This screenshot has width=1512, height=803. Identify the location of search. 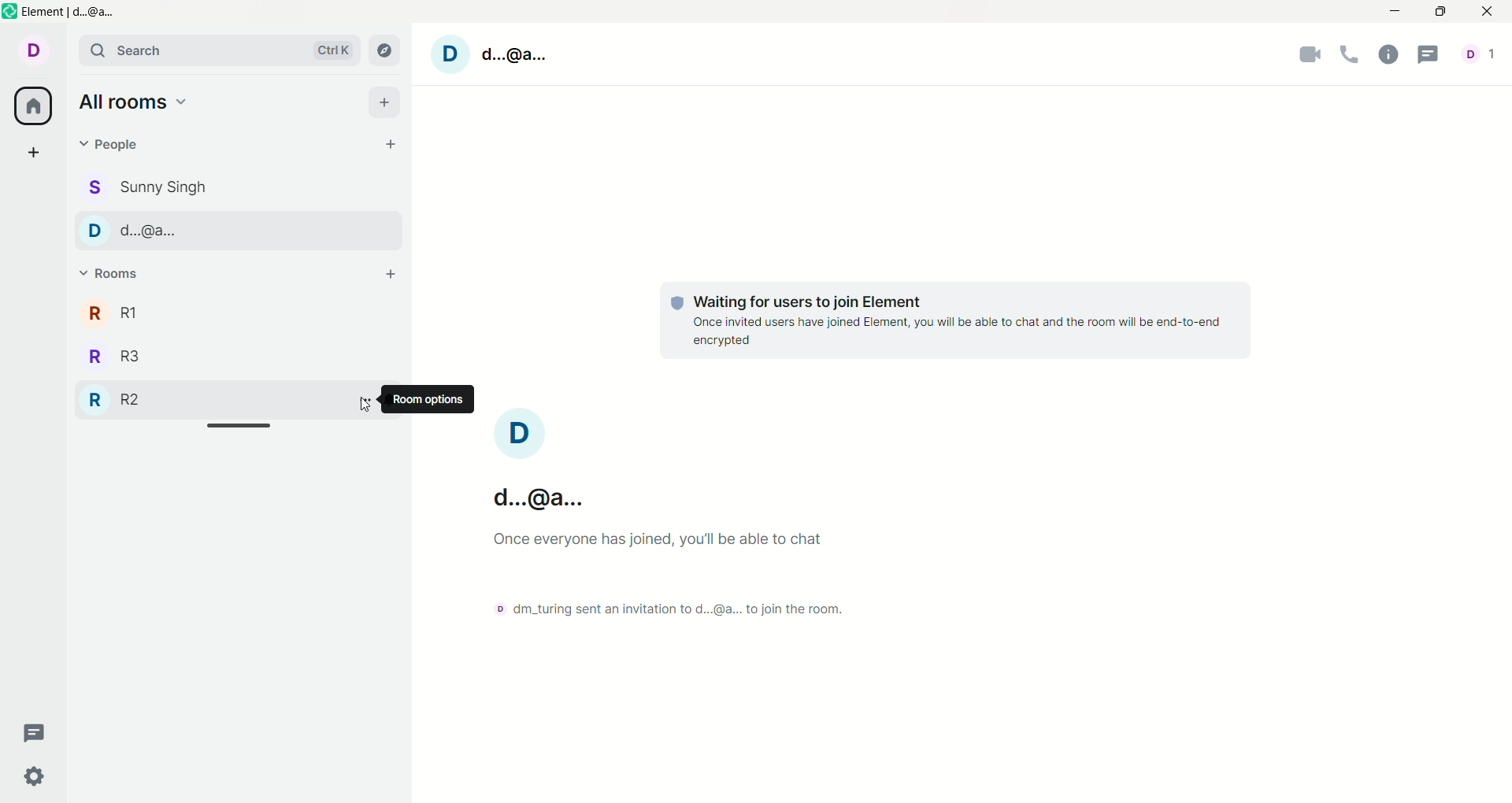
(219, 49).